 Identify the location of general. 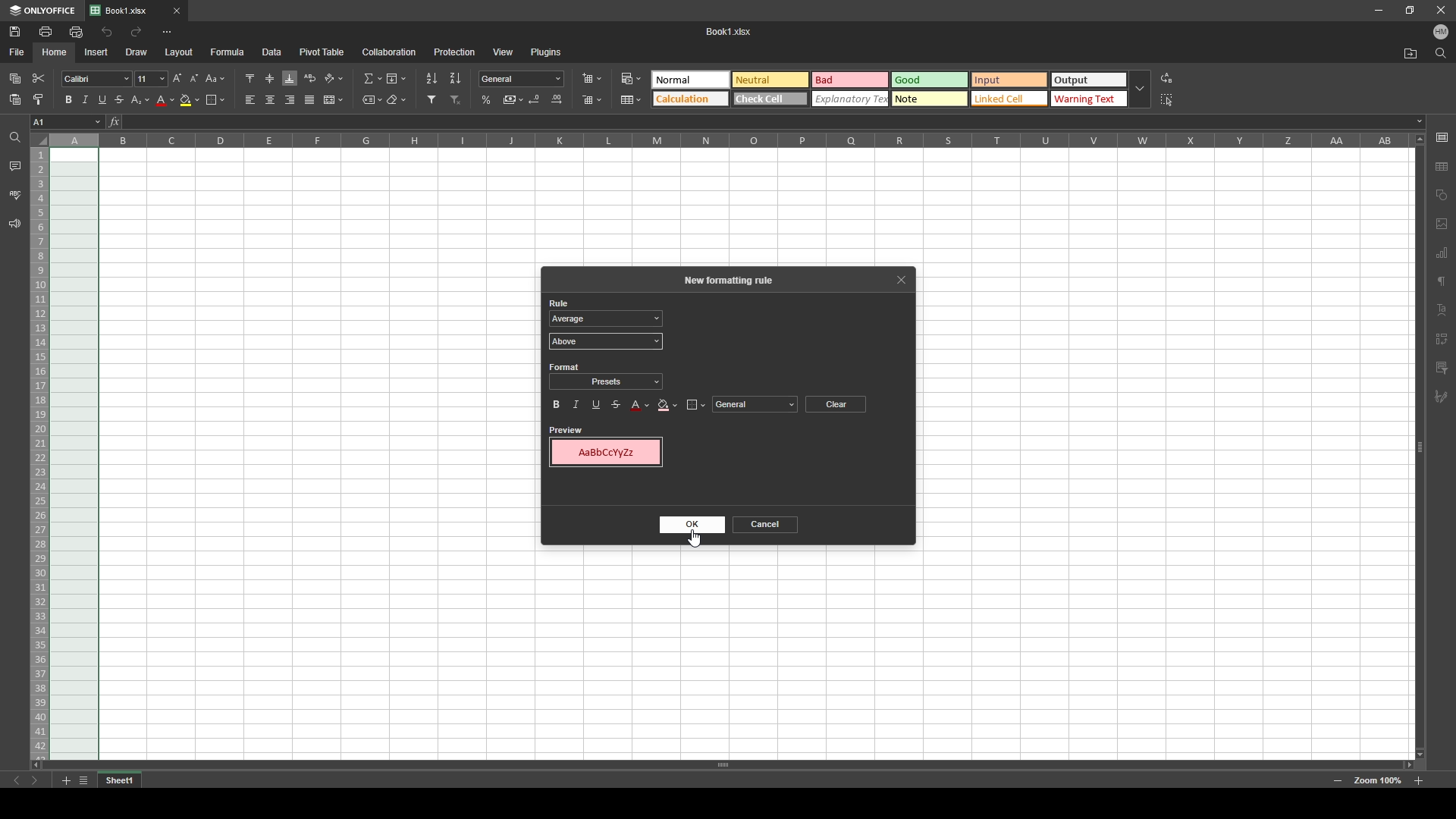
(755, 404).